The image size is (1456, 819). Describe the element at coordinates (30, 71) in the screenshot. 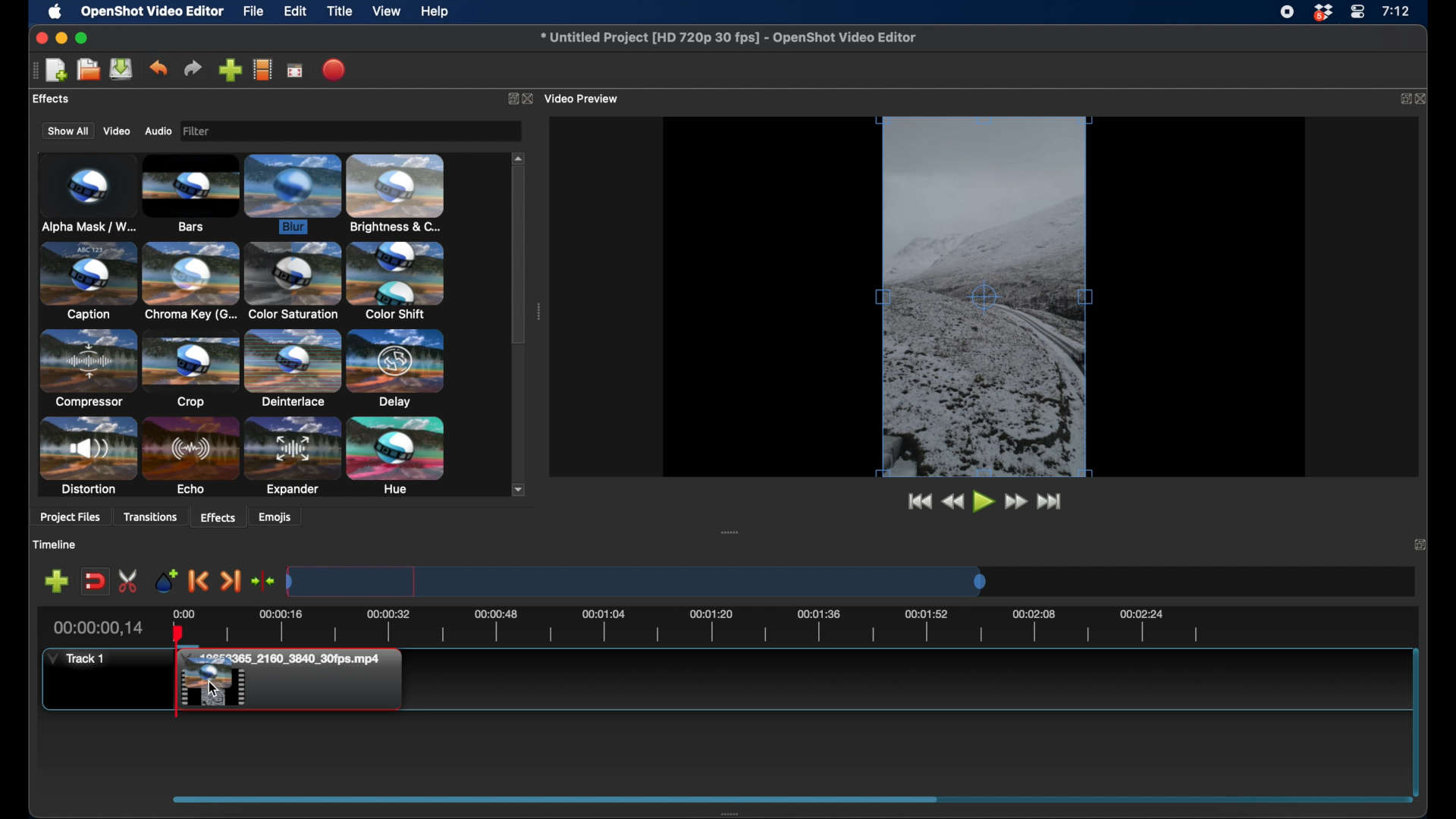

I see `drag handle` at that location.